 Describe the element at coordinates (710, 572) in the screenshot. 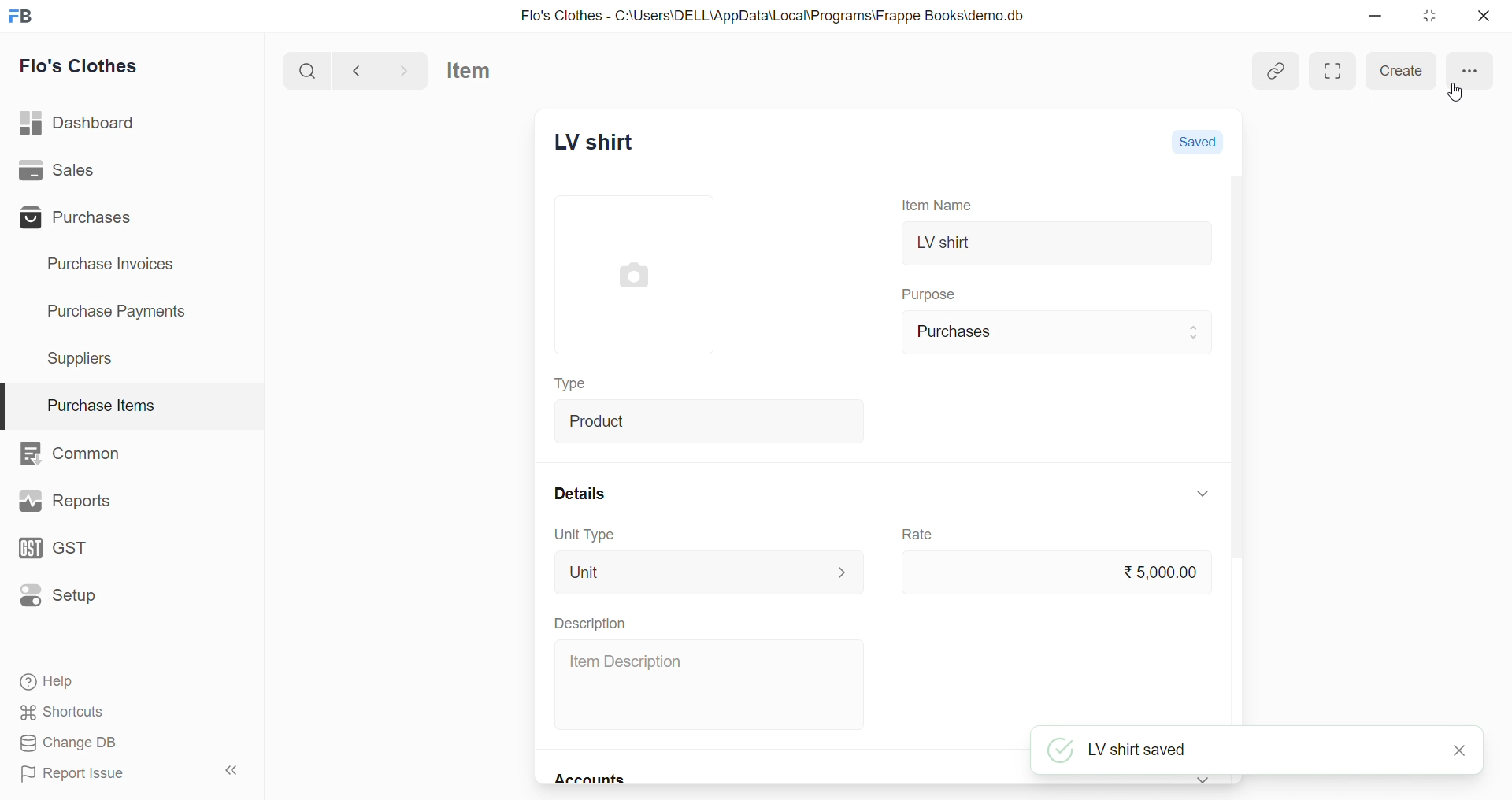

I see `Unit` at that location.